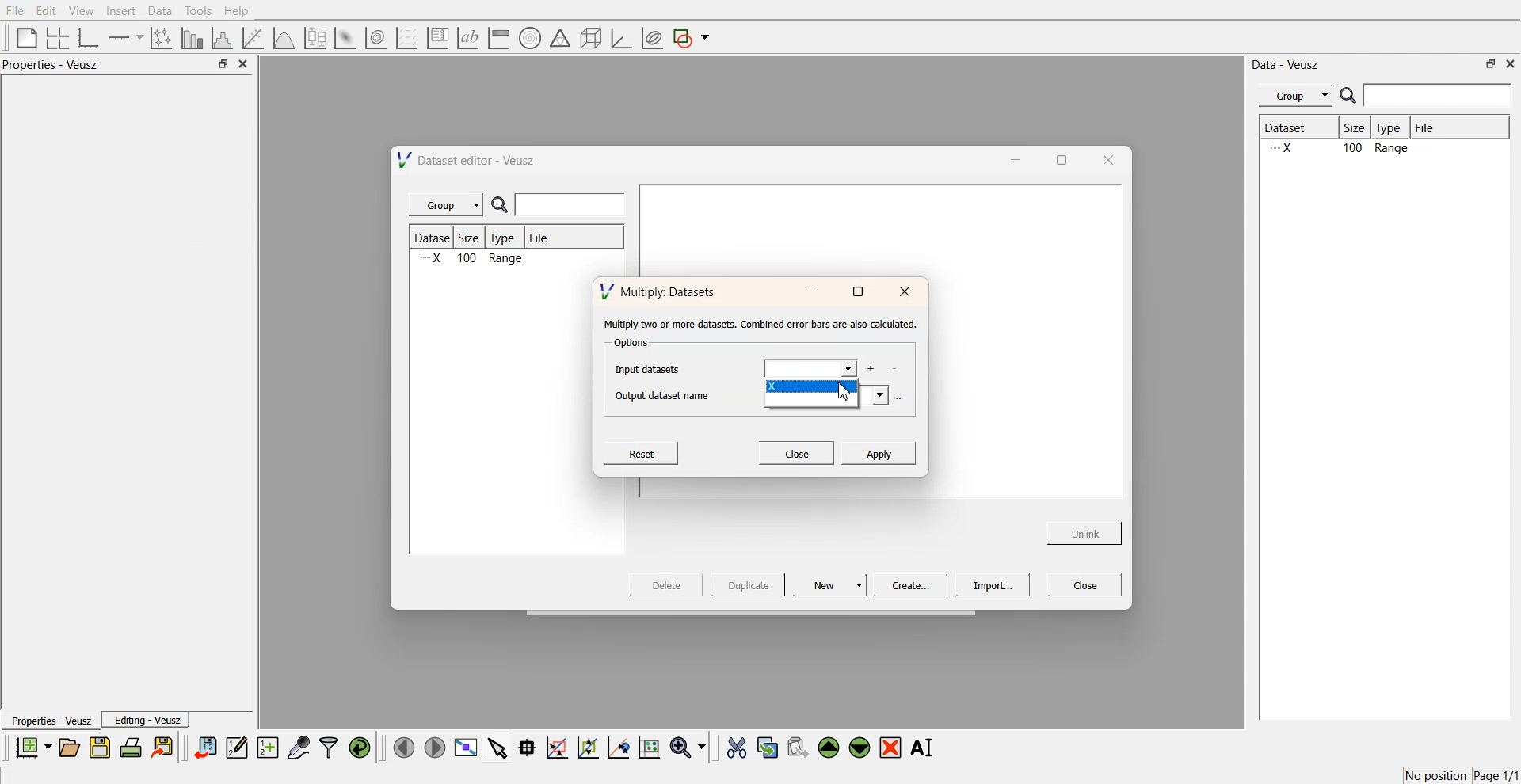 Image resolution: width=1521 pixels, height=784 pixels. What do you see at coordinates (1359, 129) in the screenshot?
I see `Size` at bounding box center [1359, 129].